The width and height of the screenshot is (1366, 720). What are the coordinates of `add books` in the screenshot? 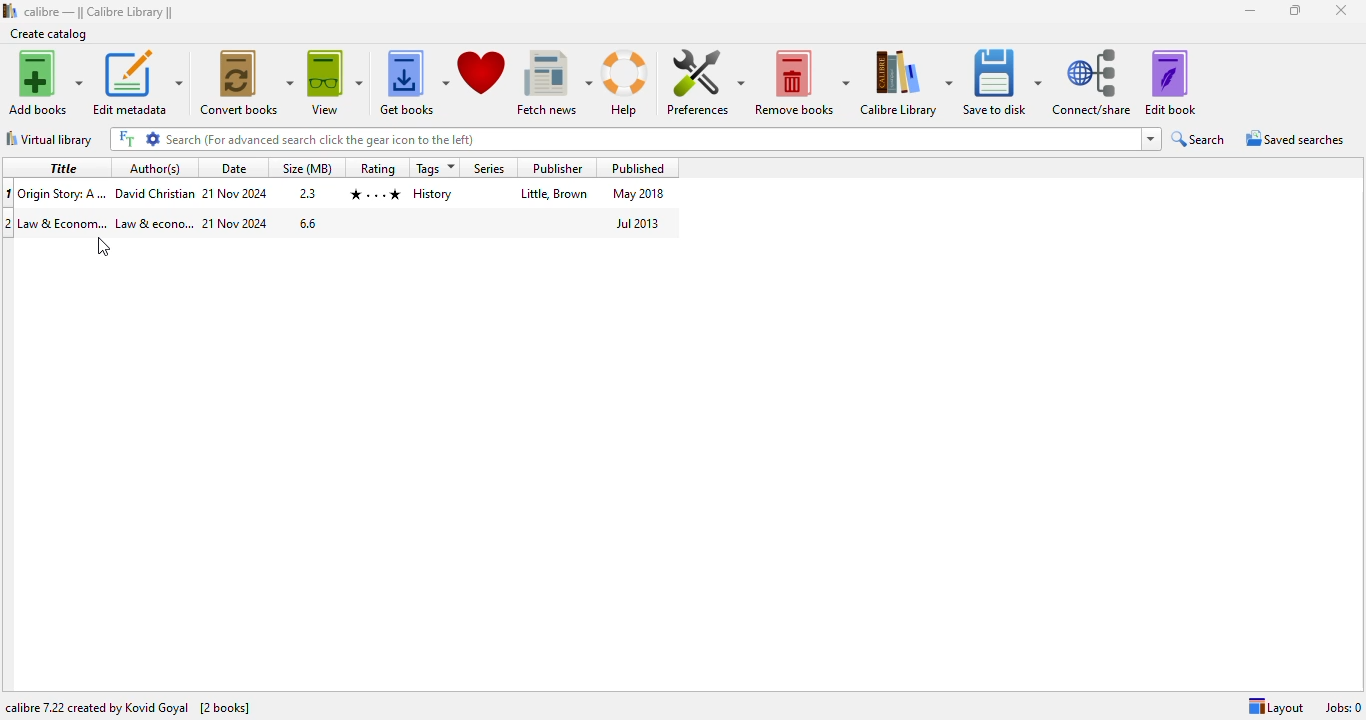 It's located at (46, 82).